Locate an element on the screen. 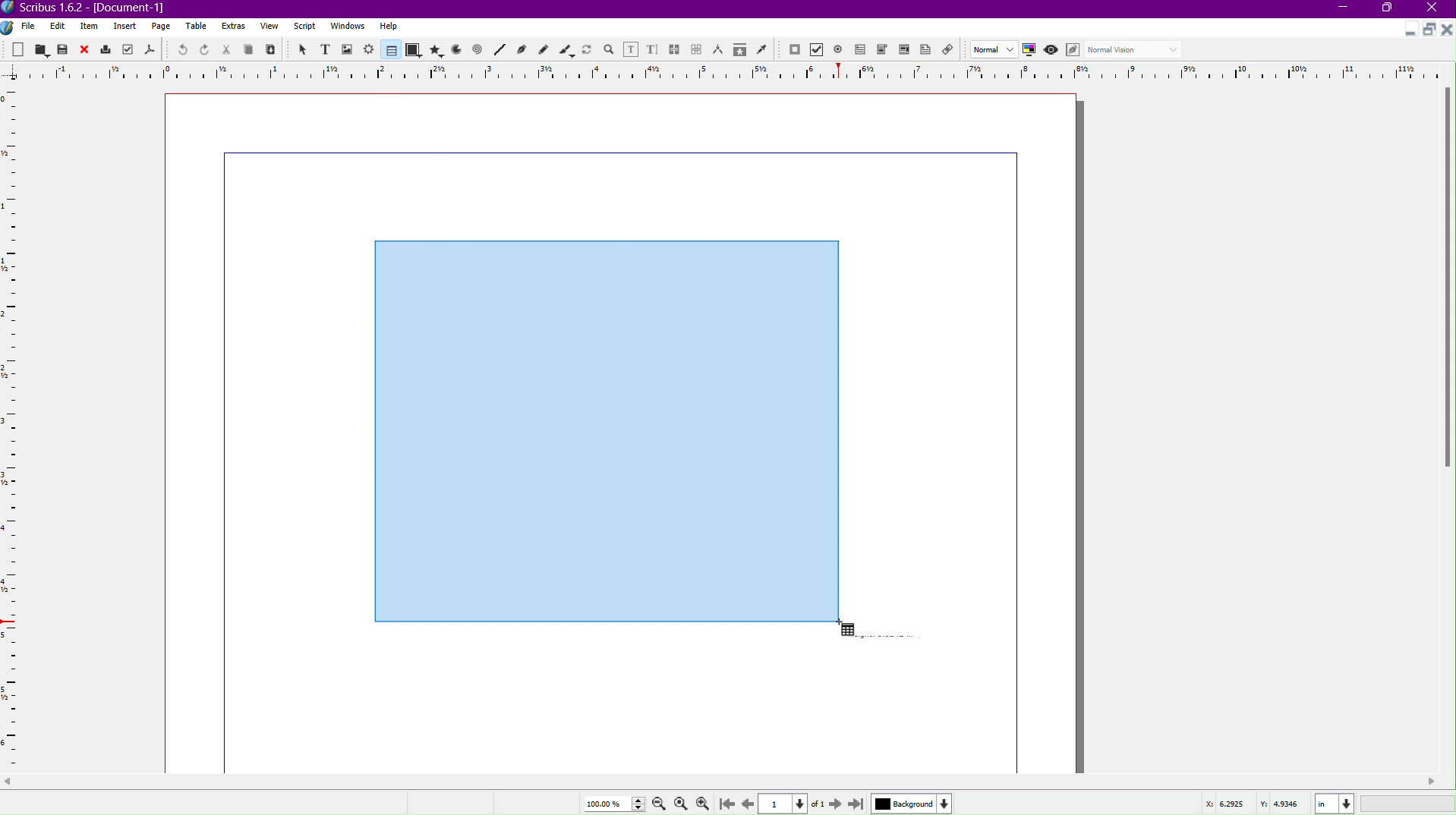 The width and height of the screenshot is (1456, 815). Toggle Color Management System is located at coordinates (1032, 52).